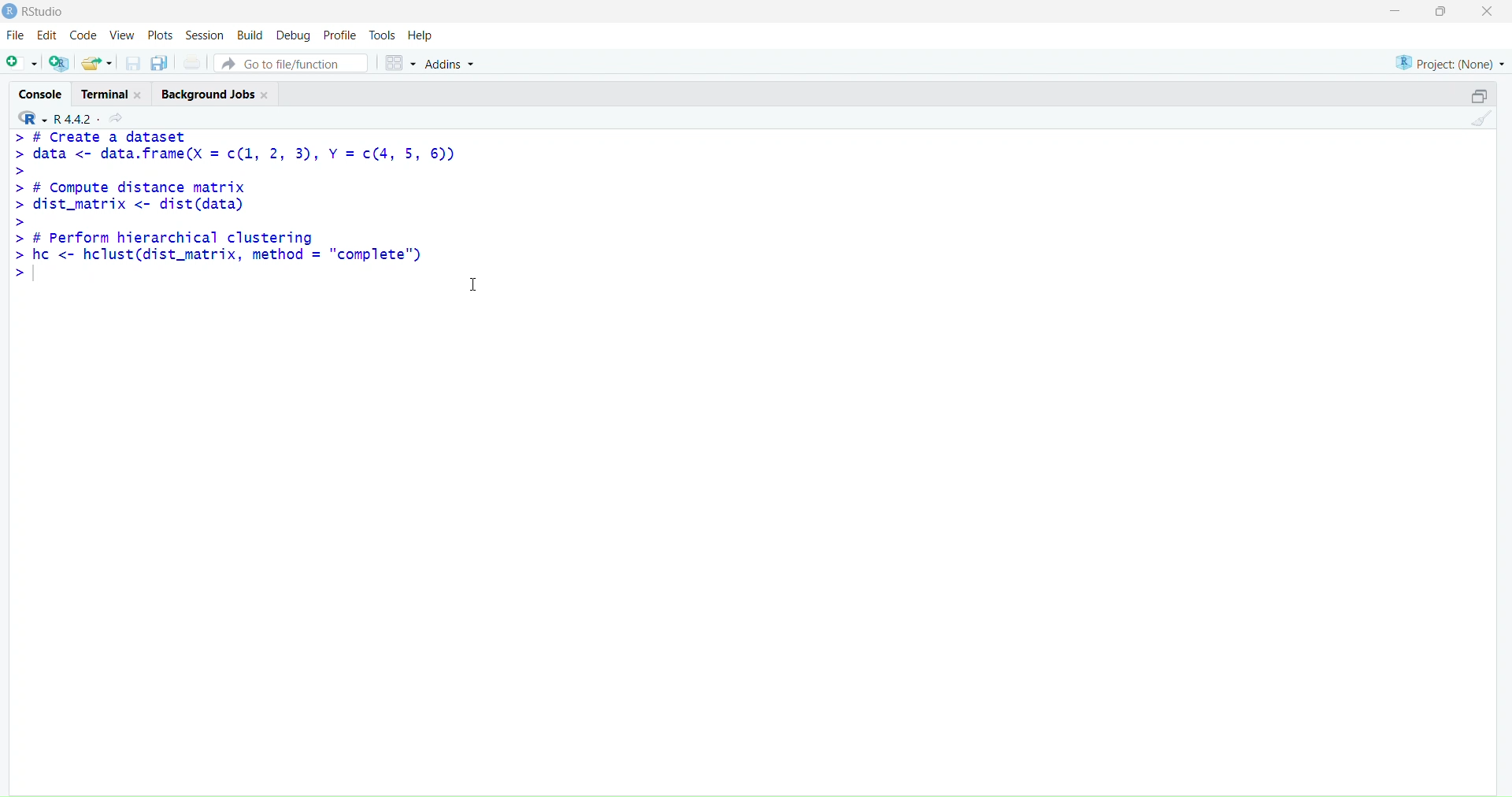  I want to click on Maximize/Restore, so click(1446, 13).